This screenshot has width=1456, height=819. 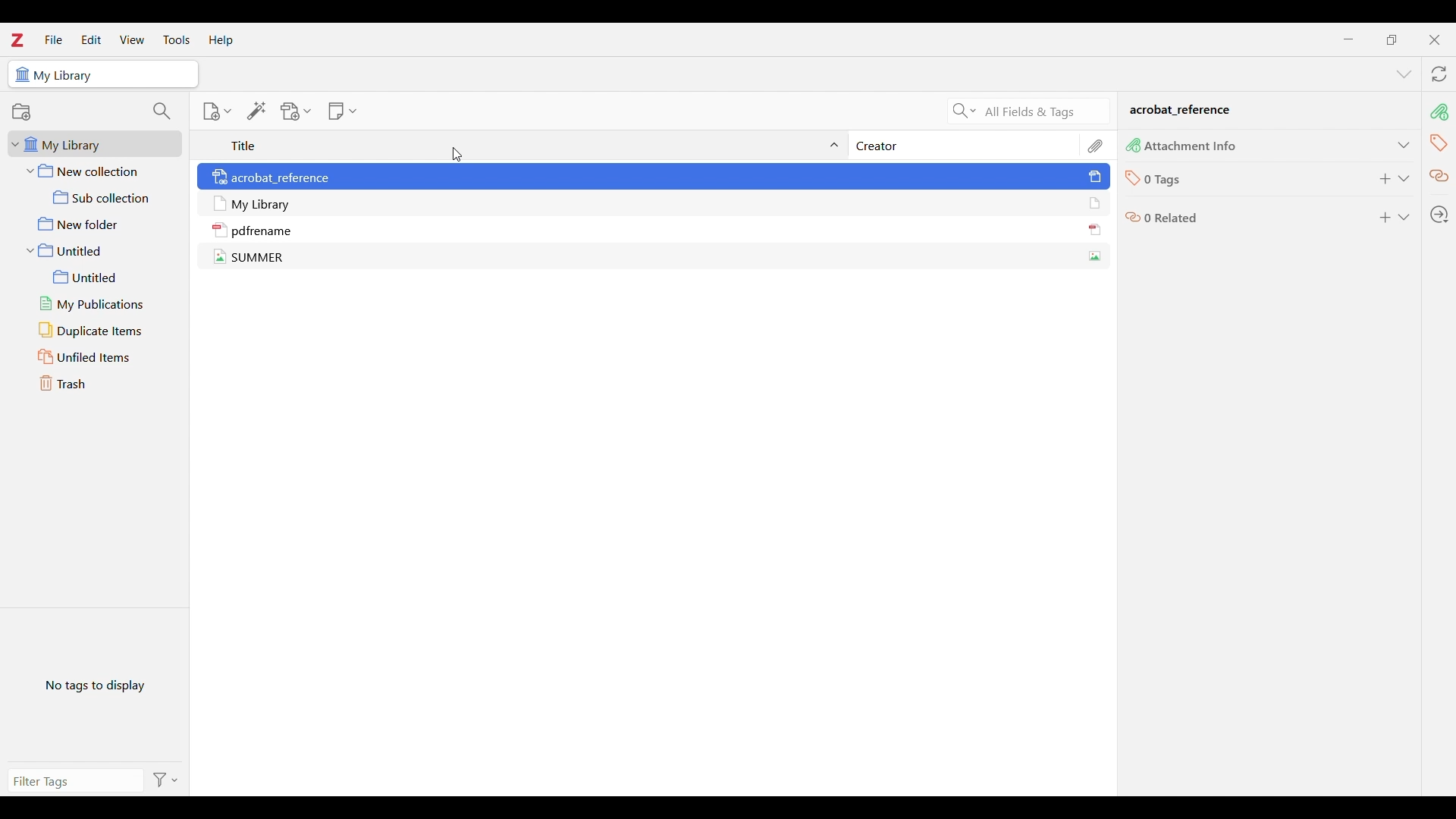 What do you see at coordinates (1439, 177) in the screenshot?
I see `Related` at bounding box center [1439, 177].